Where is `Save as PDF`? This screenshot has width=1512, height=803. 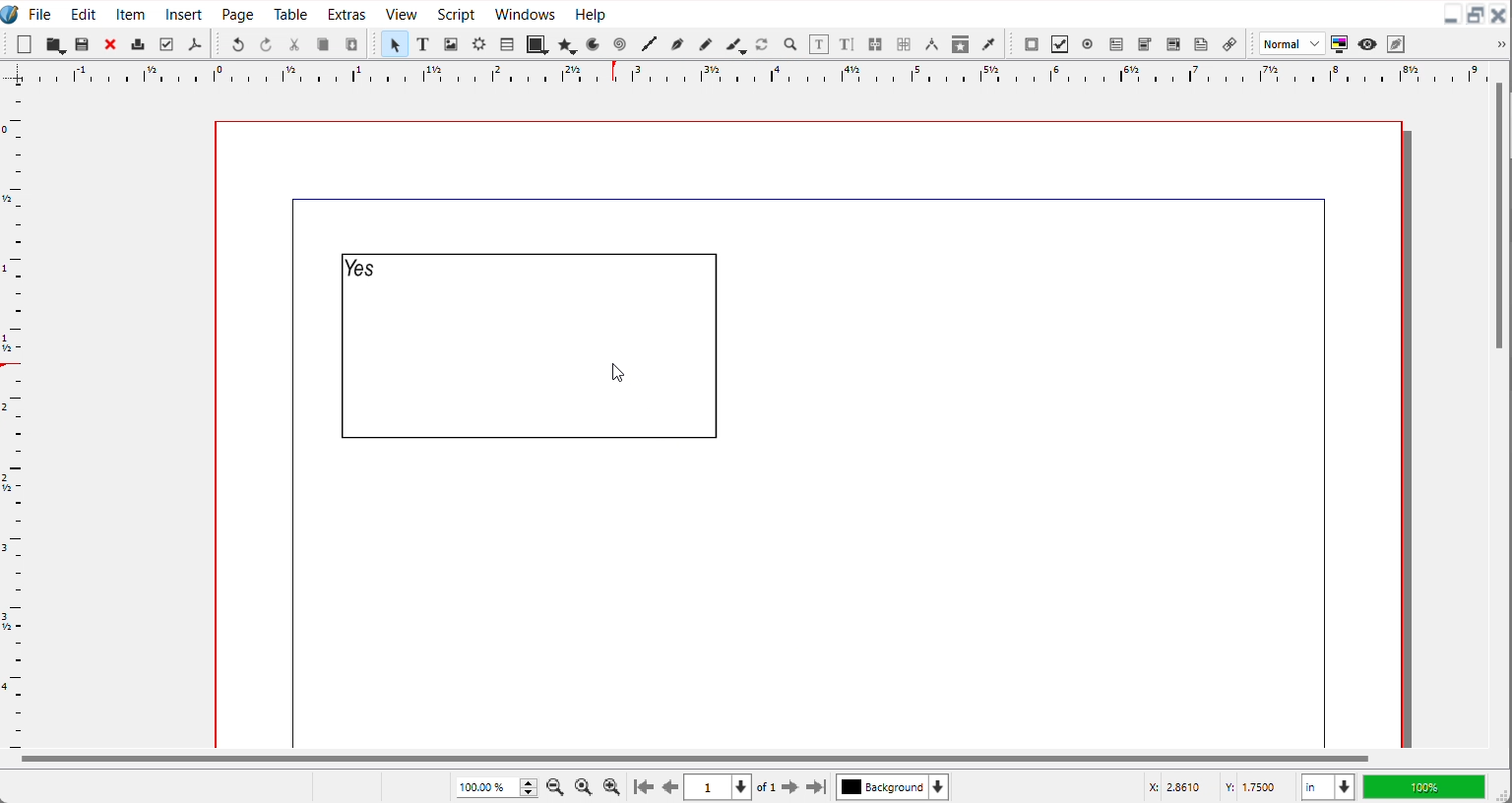
Save as PDF is located at coordinates (194, 44).